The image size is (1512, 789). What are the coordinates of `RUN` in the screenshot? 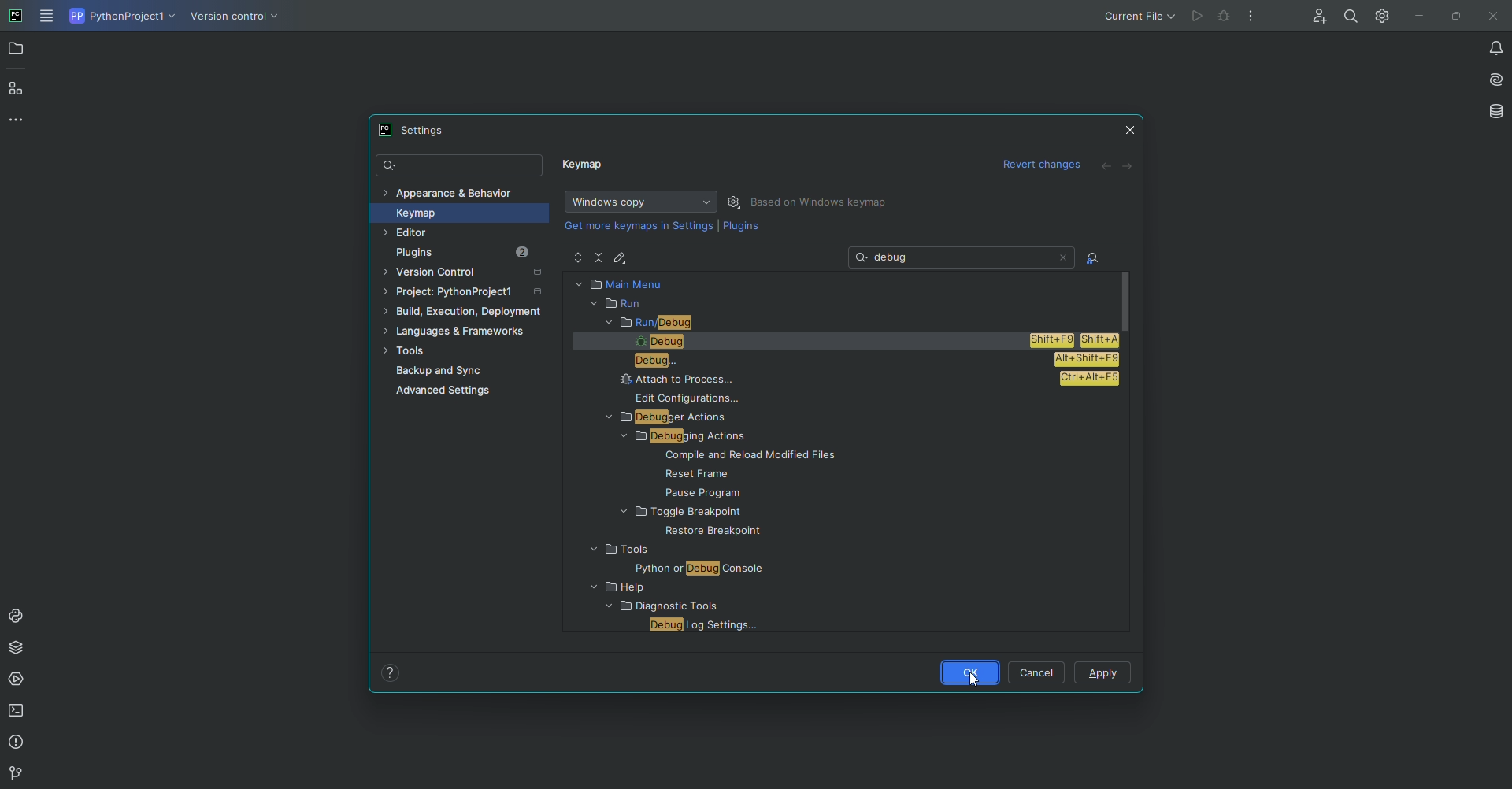 It's located at (840, 304).